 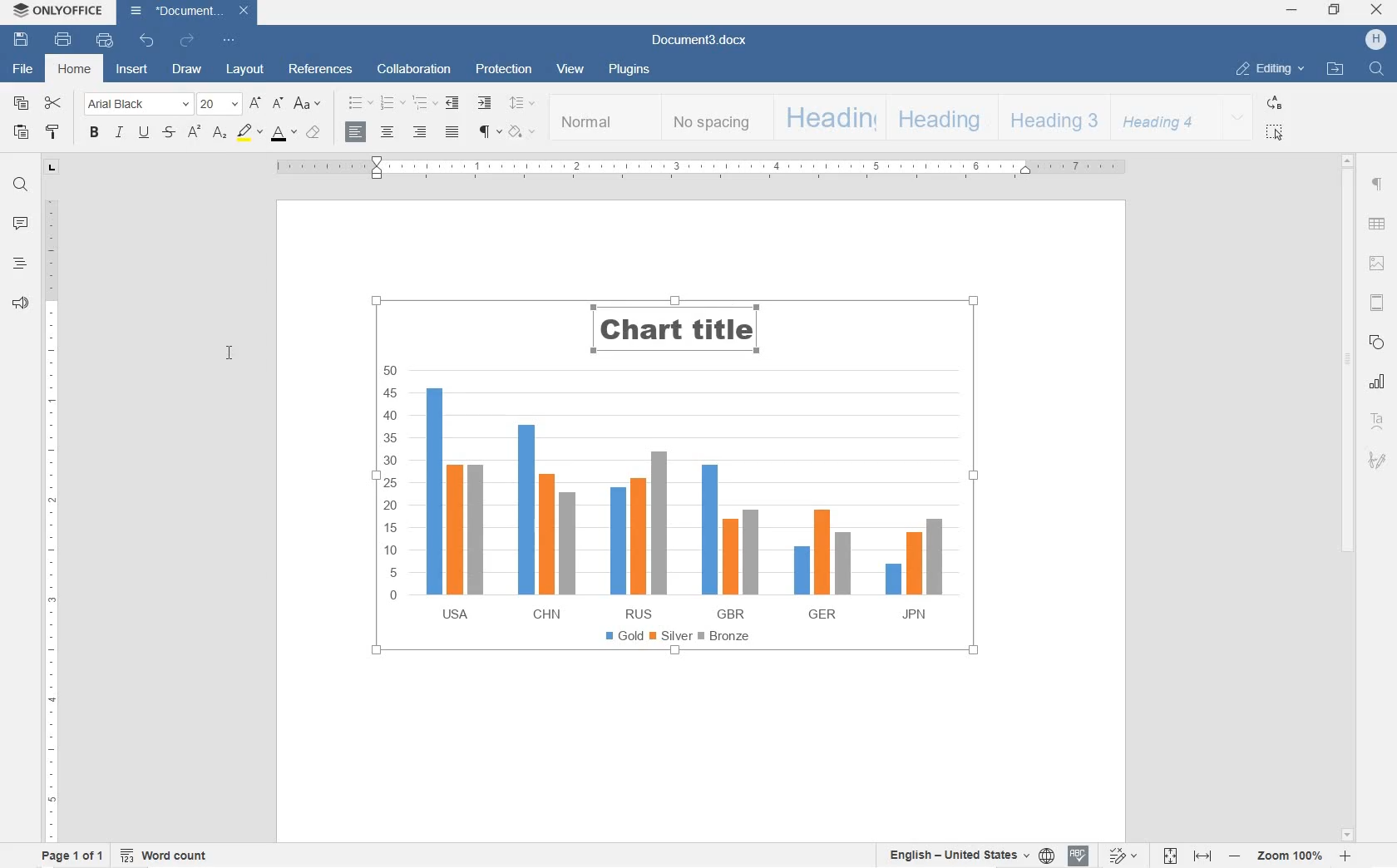 I want to click on FILE, so click(x=24, y=70).